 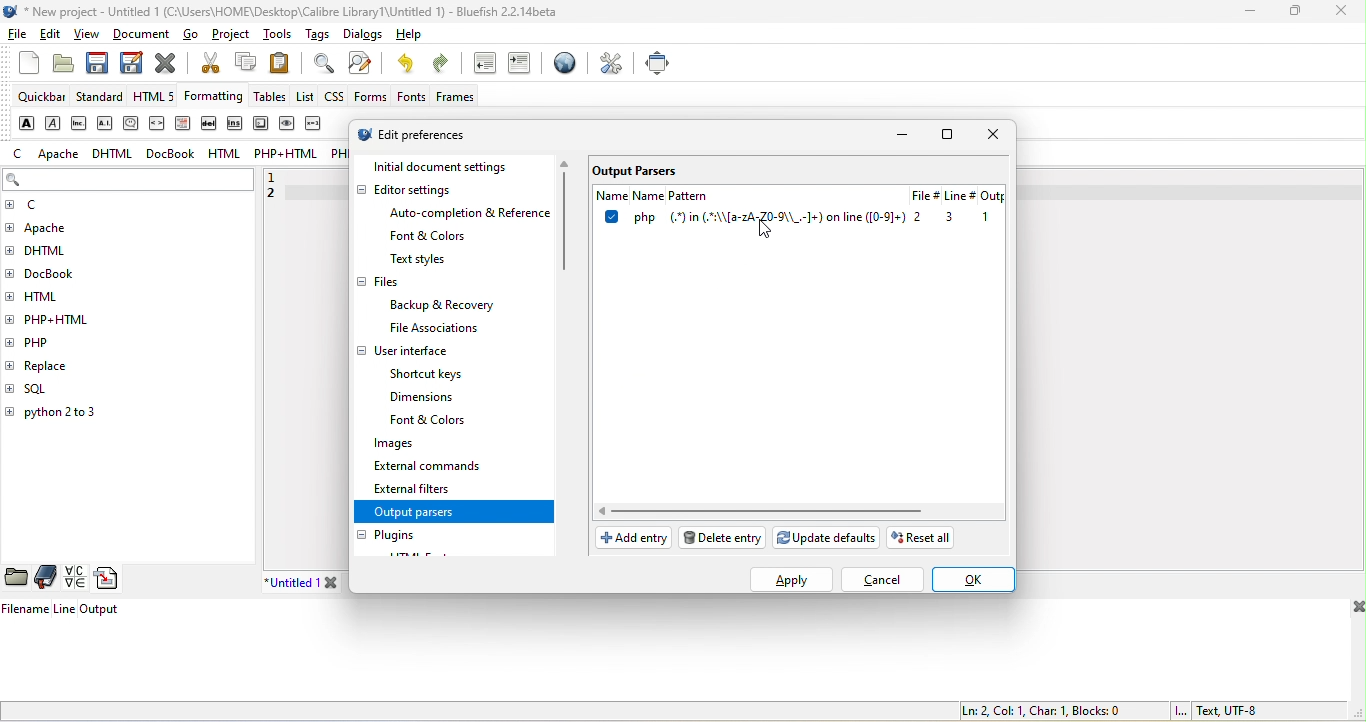 I want to click on open, so click(x=60, y=68).